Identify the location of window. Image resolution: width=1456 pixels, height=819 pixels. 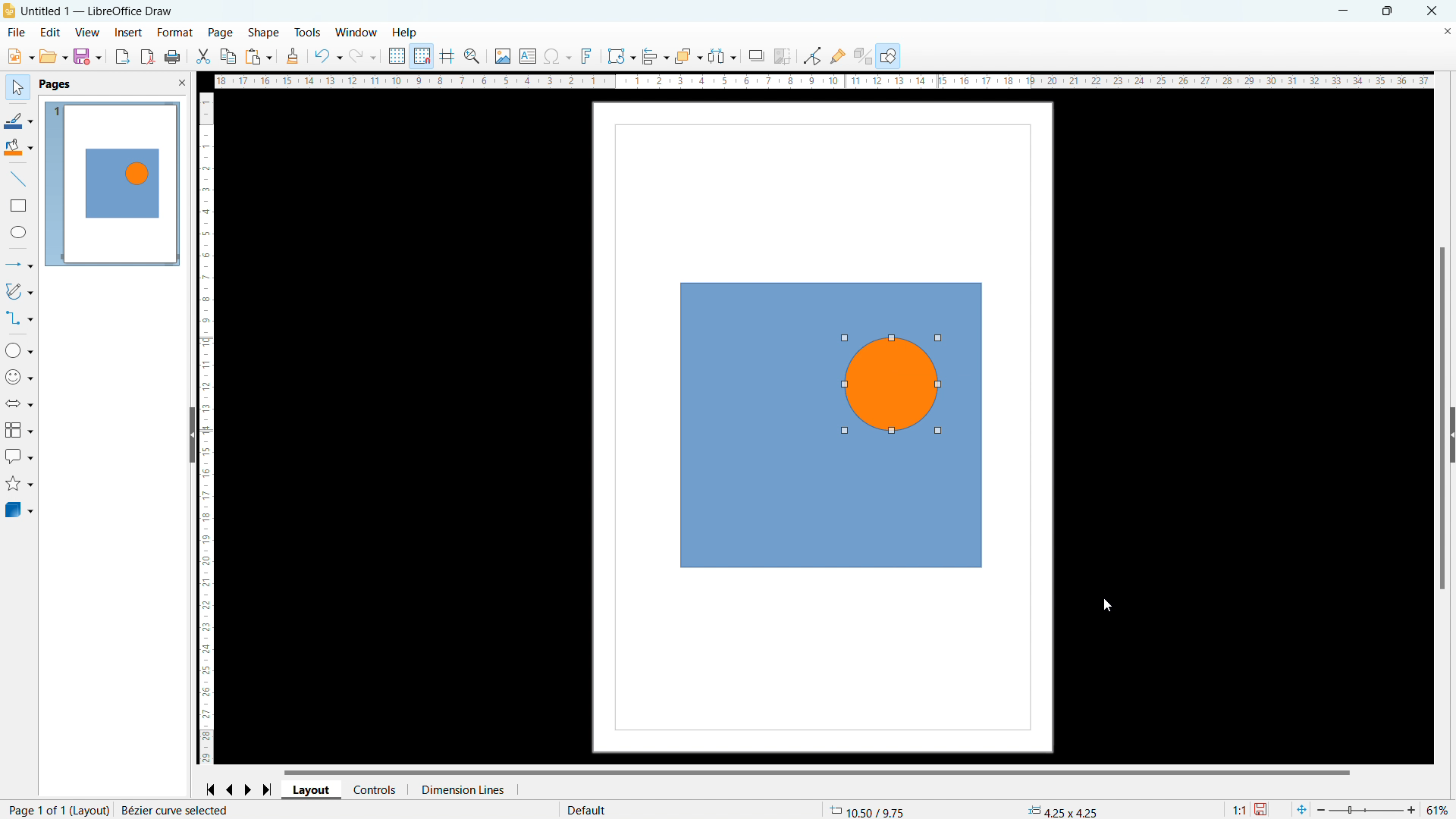
(356, 33).